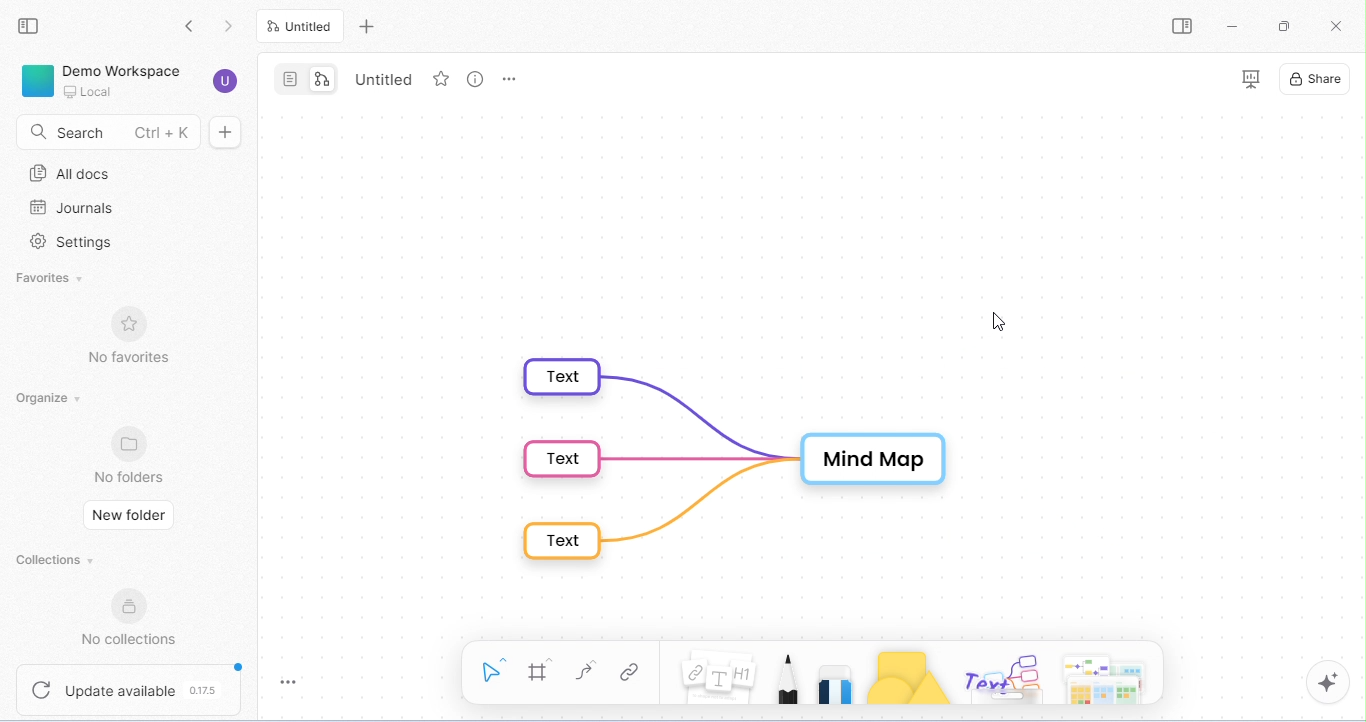  I want to click on favorites, so click(56, 278).